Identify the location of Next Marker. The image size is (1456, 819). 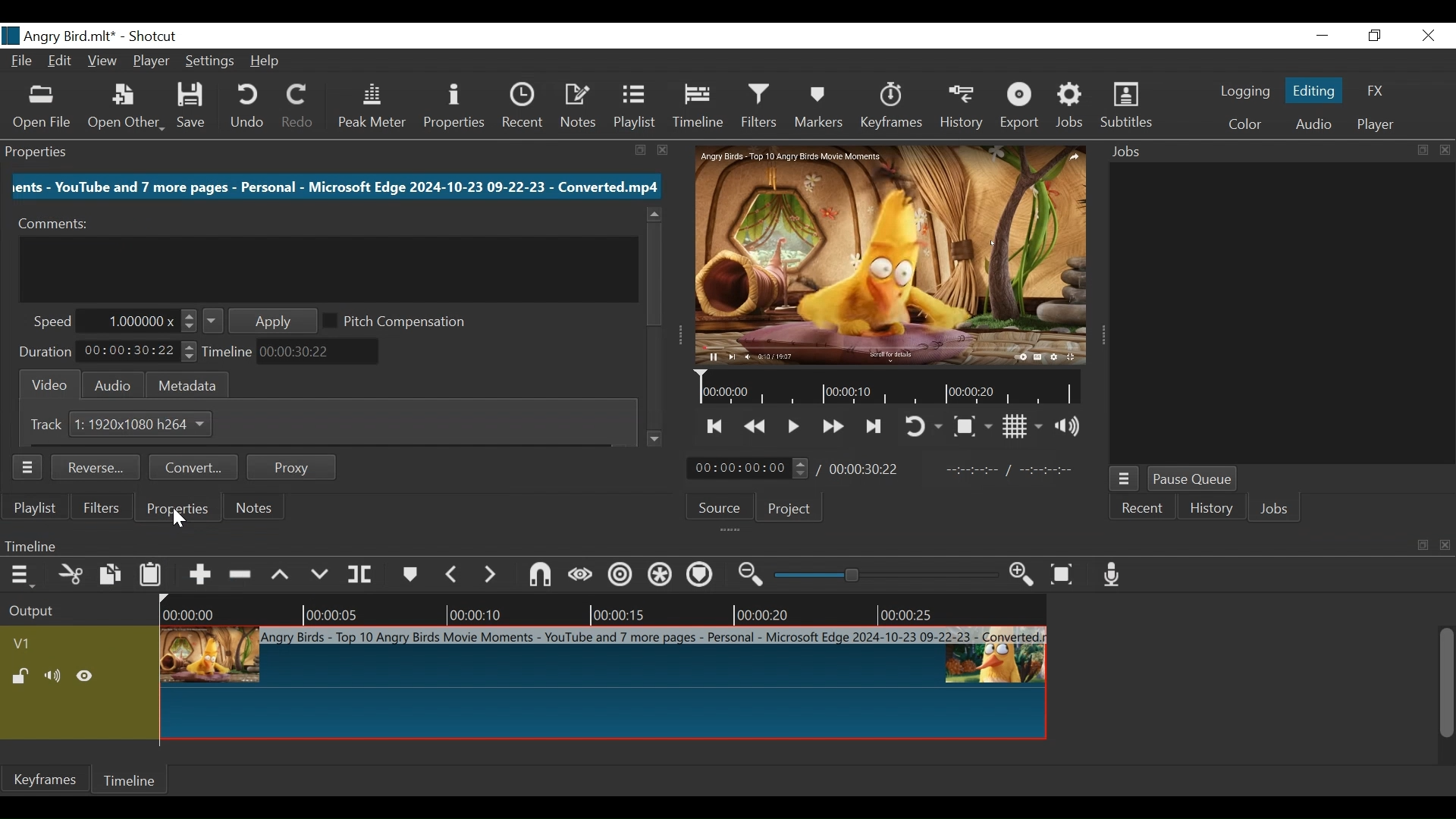
(491, 575).